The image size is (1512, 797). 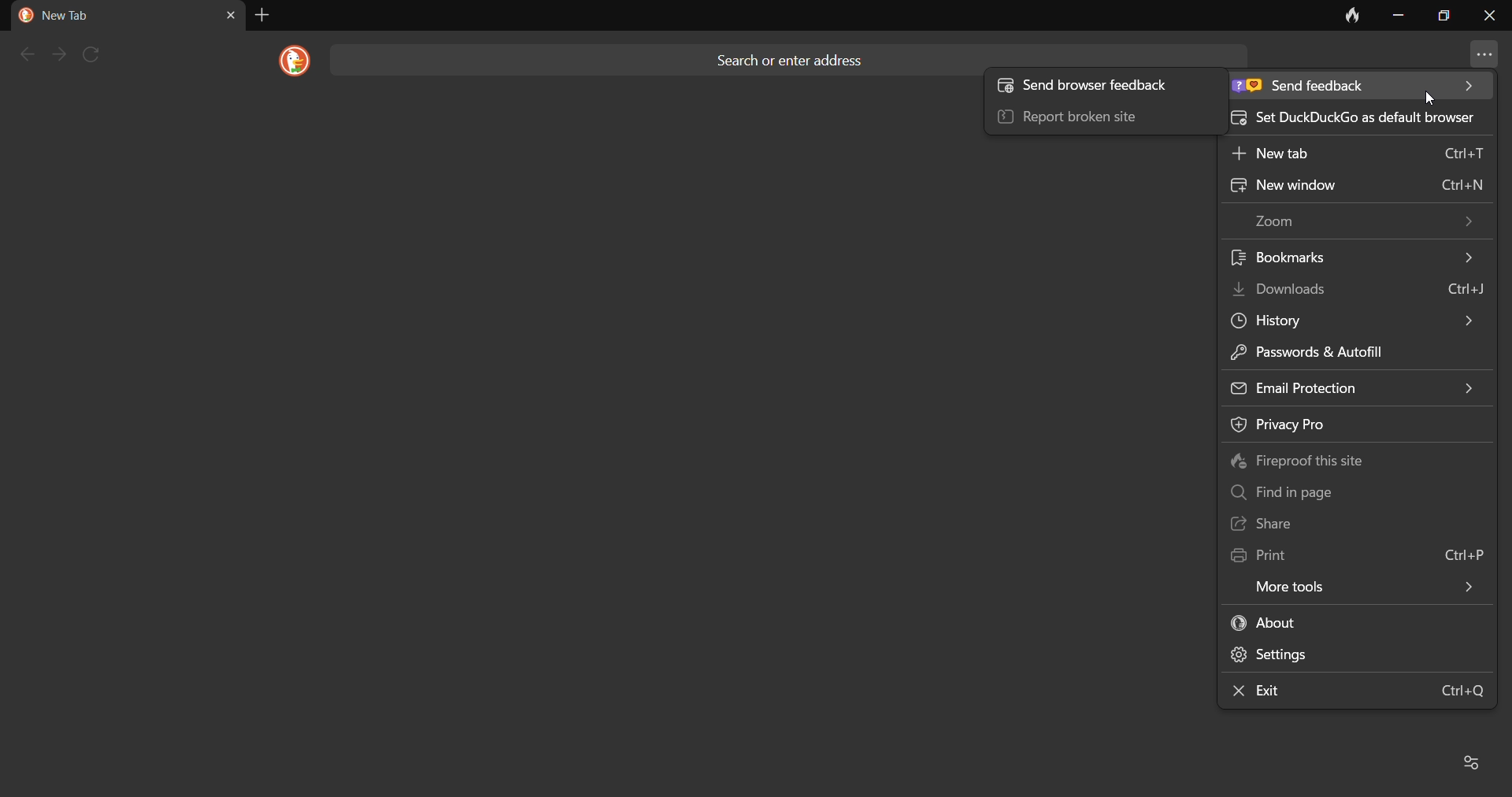 What do you see at coordinates (1362, 585) in the screenshot?
I see `more tools` at bounding box center [1362, 585].